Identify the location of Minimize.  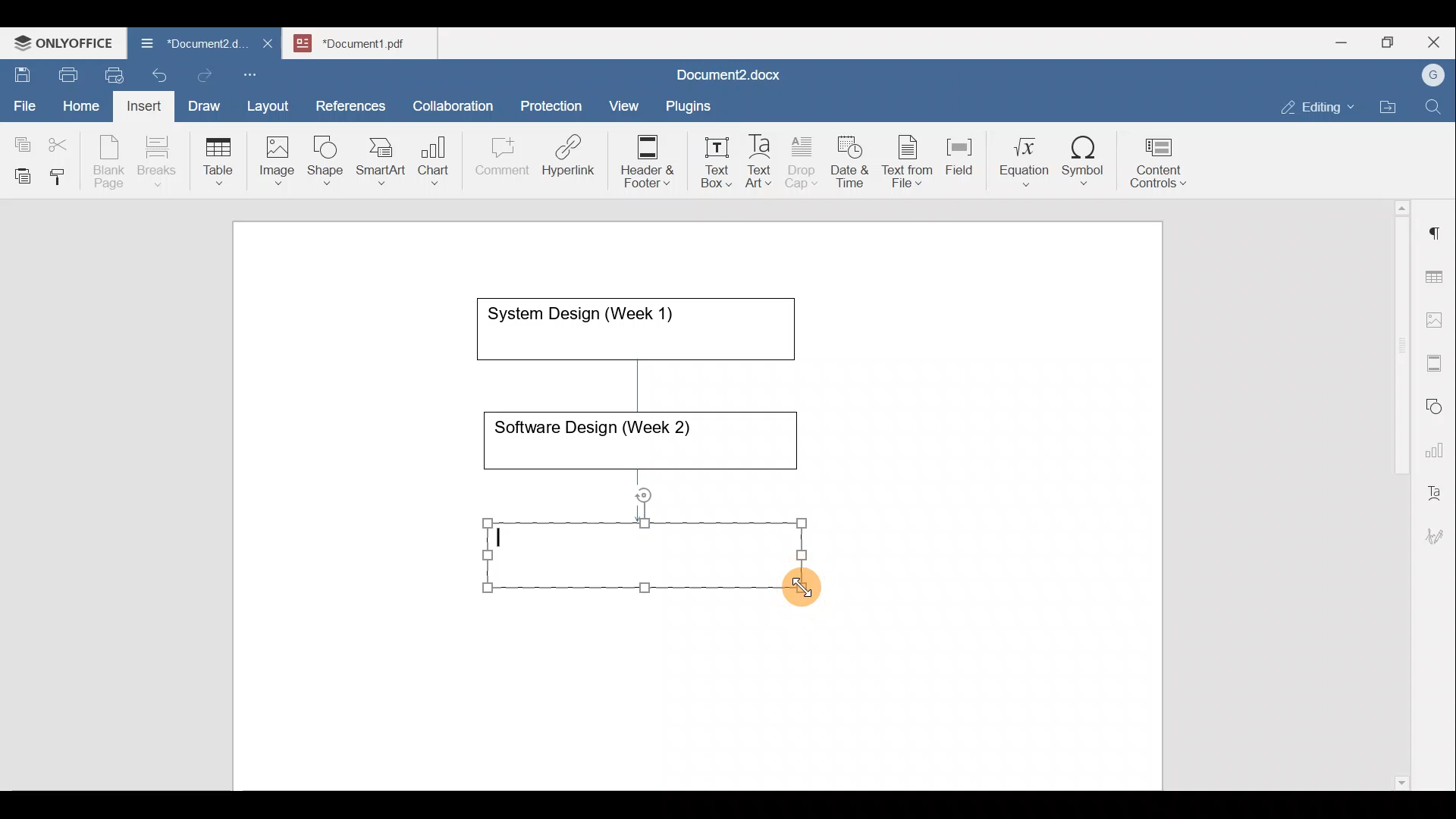
(1341, 41).